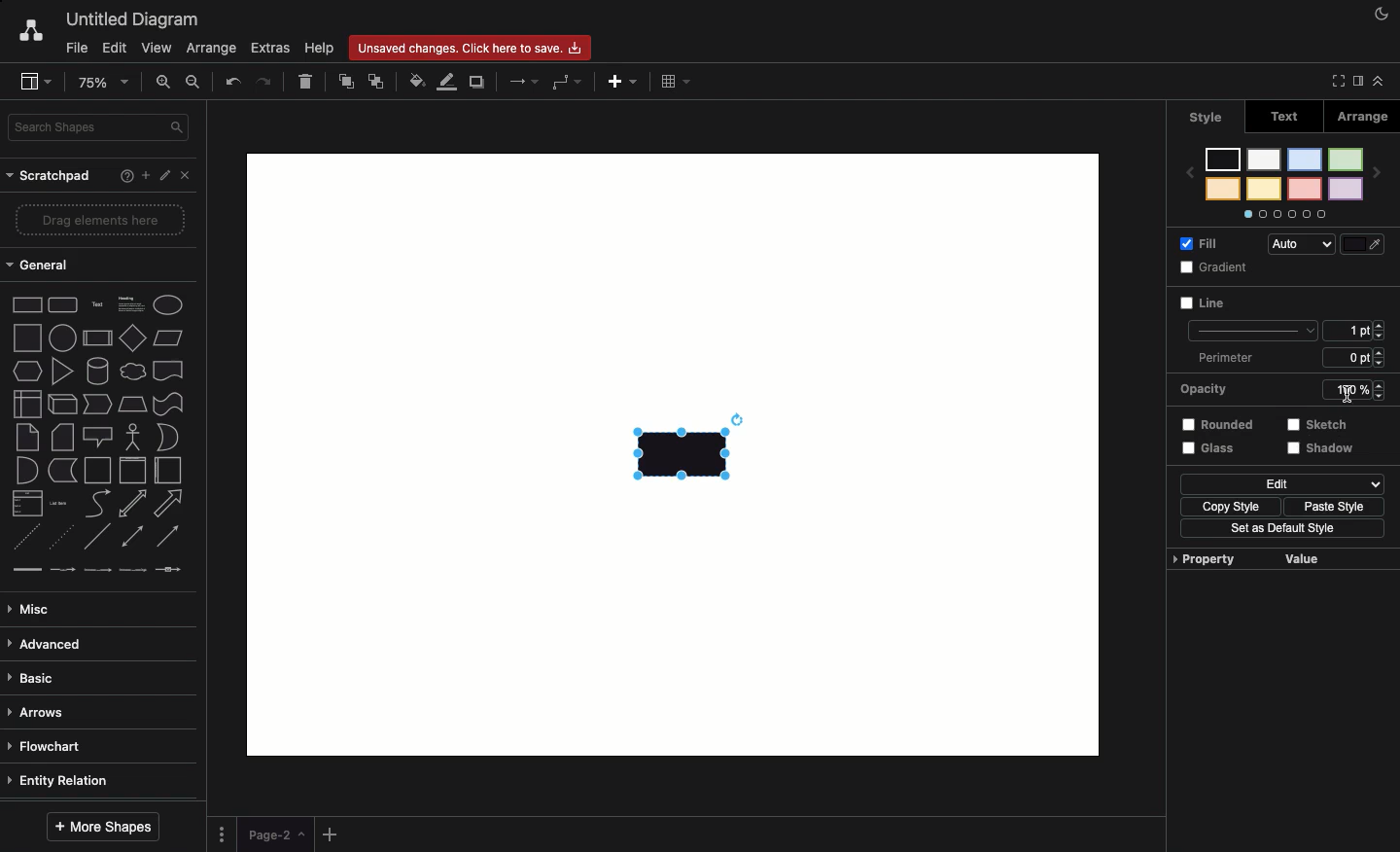 This screenshot has height=852, width=1400. Describe the element at coordinates (1209, 307) in the screenshot. I see `Line` at that location.